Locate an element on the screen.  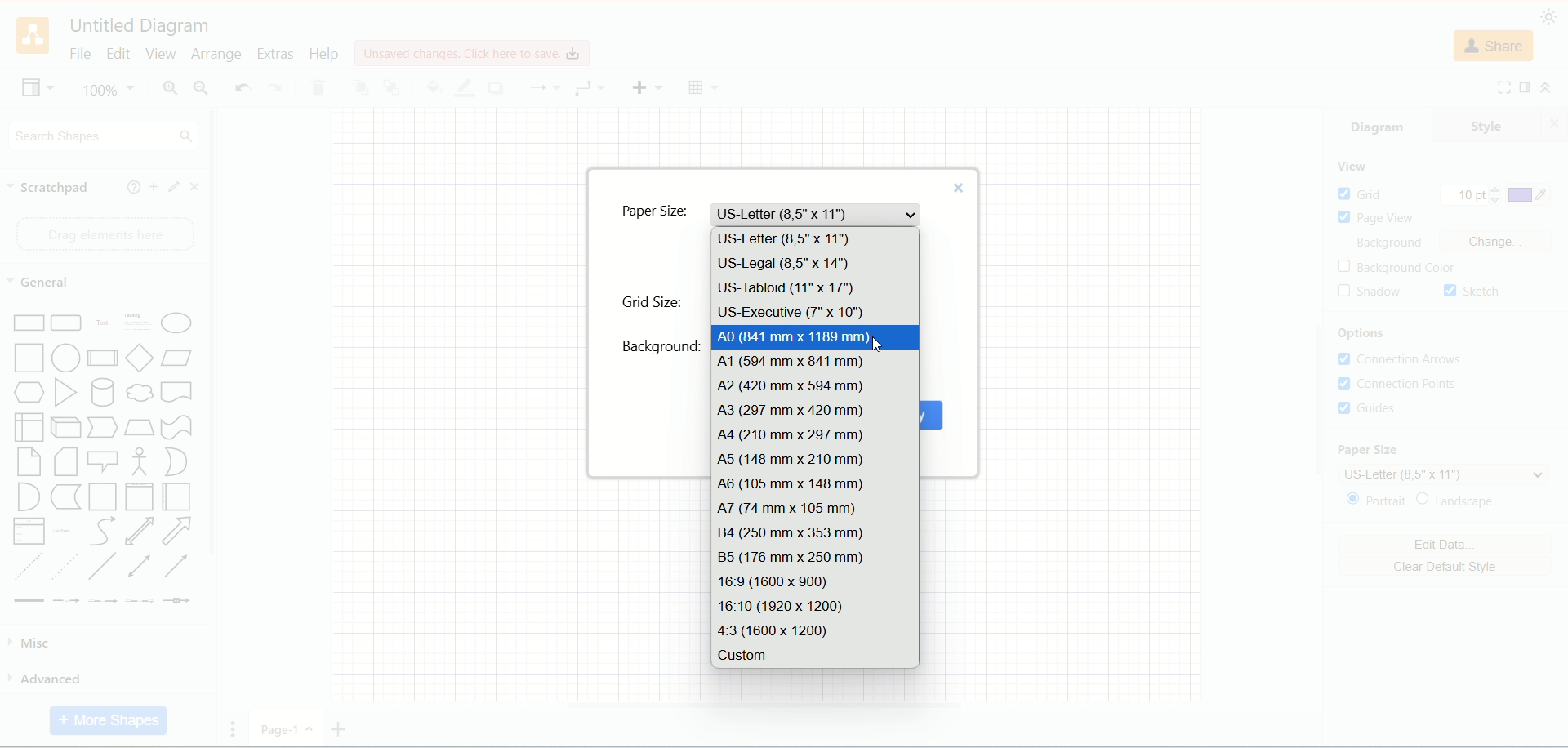
to front is located at coordinates (359, 86).